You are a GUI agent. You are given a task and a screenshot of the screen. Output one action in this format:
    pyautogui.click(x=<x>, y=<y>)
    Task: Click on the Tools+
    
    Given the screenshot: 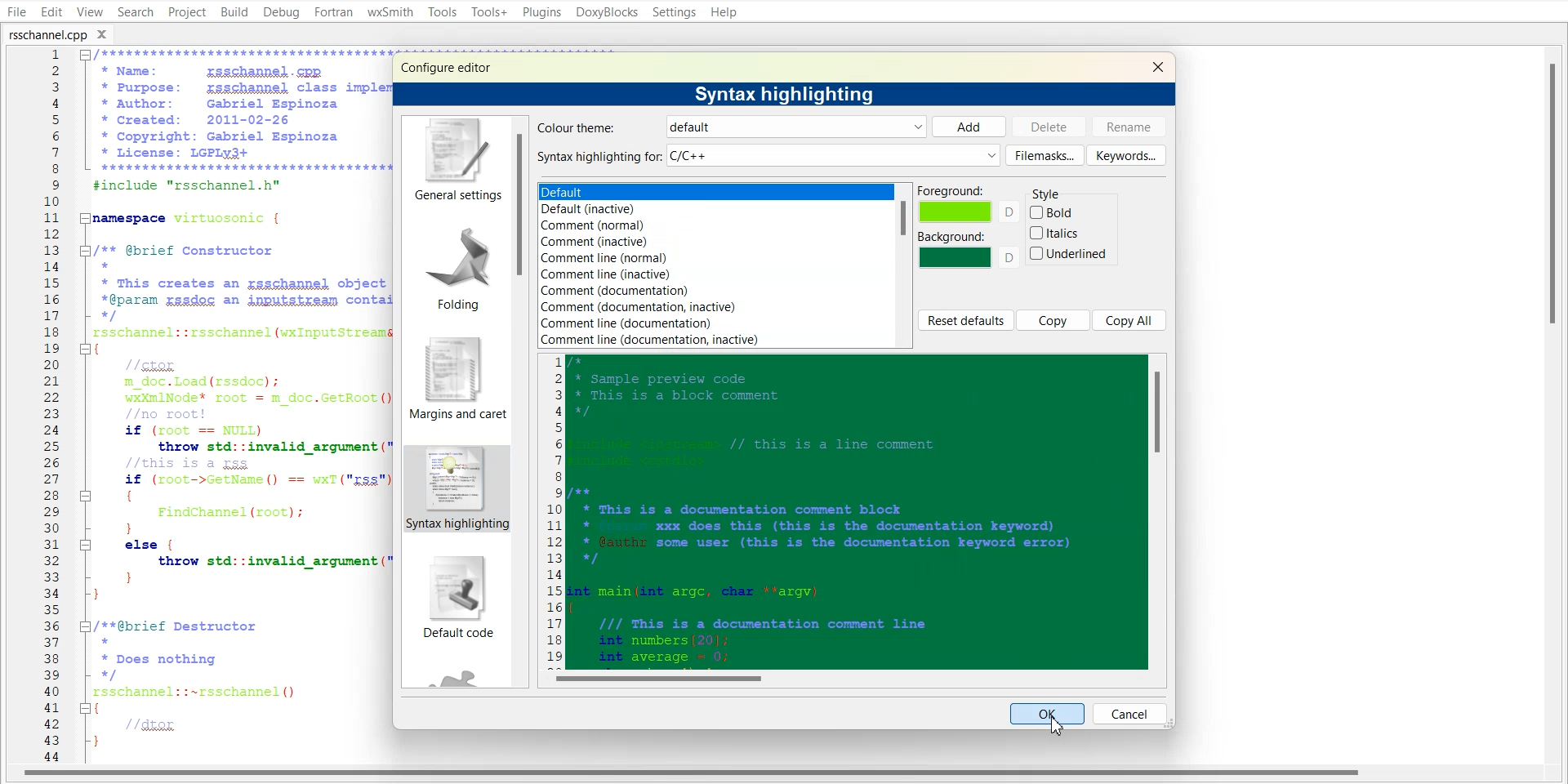 What is the action you would take?
    pyautogui.click(x=488, y=11)
    